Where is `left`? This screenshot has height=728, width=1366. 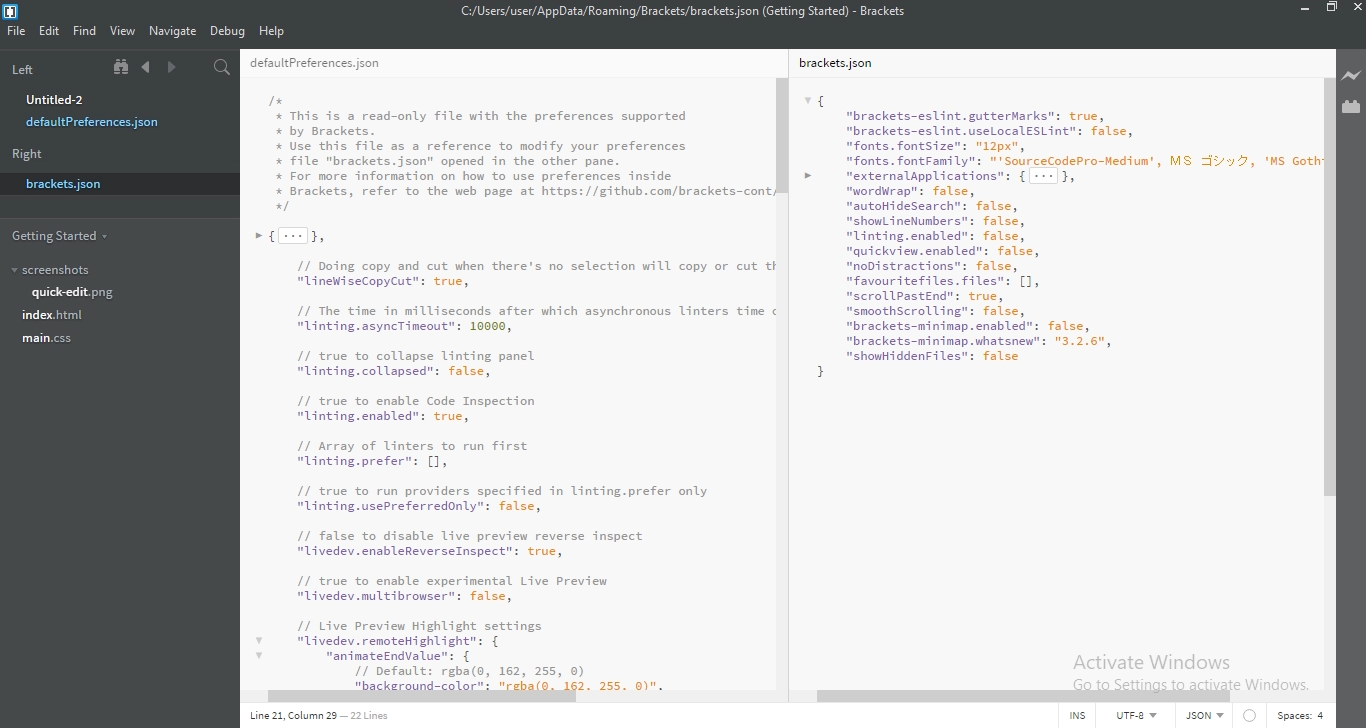 left is located at coordinates (26, 66).